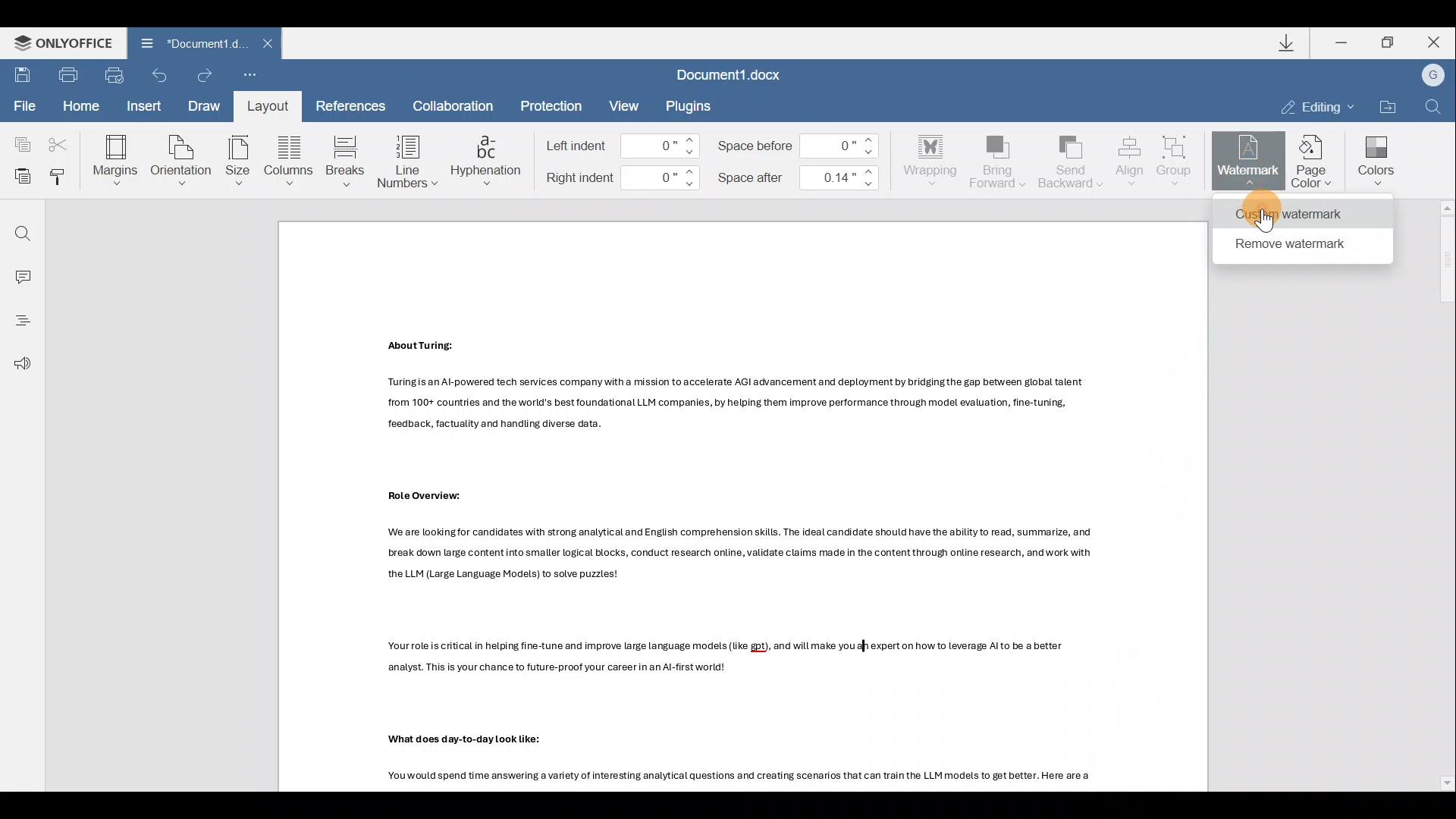 This screenshot has height=819, width=1456. Describe the element at coordinates (21, 274) in the screenshot. I see `Comment` at that location.